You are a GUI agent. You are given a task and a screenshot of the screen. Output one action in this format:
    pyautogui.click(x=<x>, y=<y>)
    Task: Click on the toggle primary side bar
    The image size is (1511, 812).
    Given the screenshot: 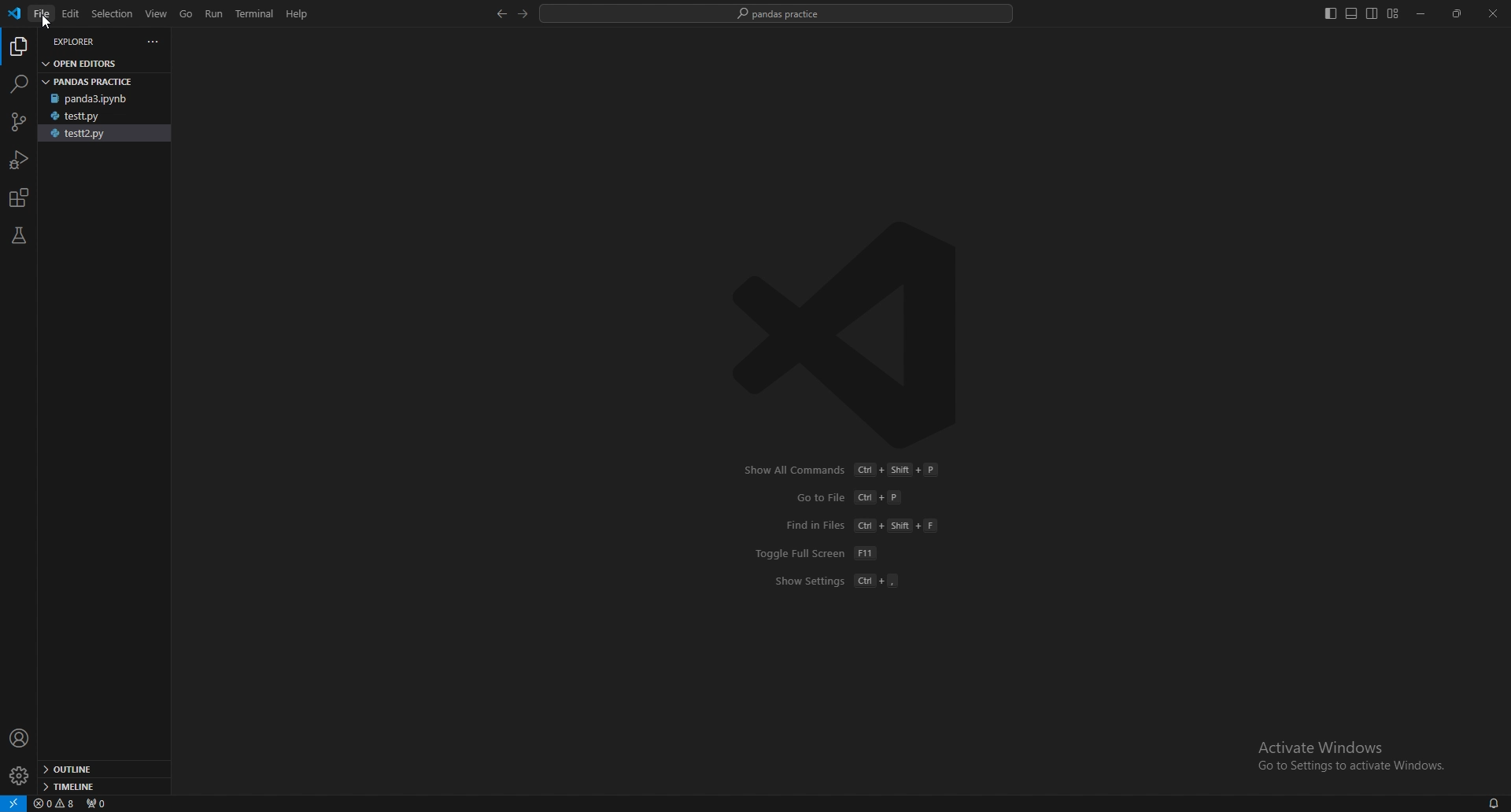 What is the action you would take?
    pyautogui.click(x=1332, y=13)
    